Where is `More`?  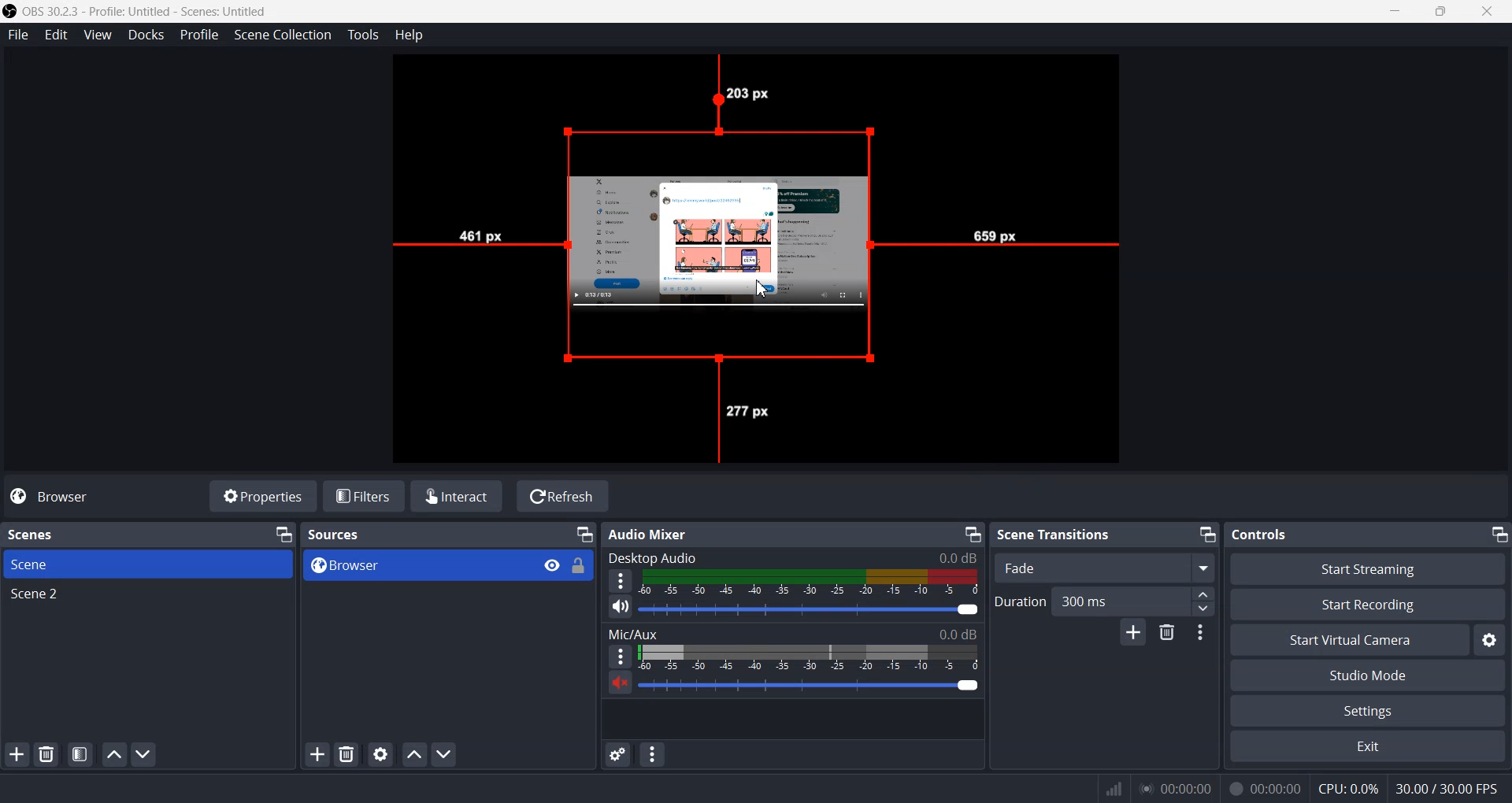
More is located at coordinates (615, 656).